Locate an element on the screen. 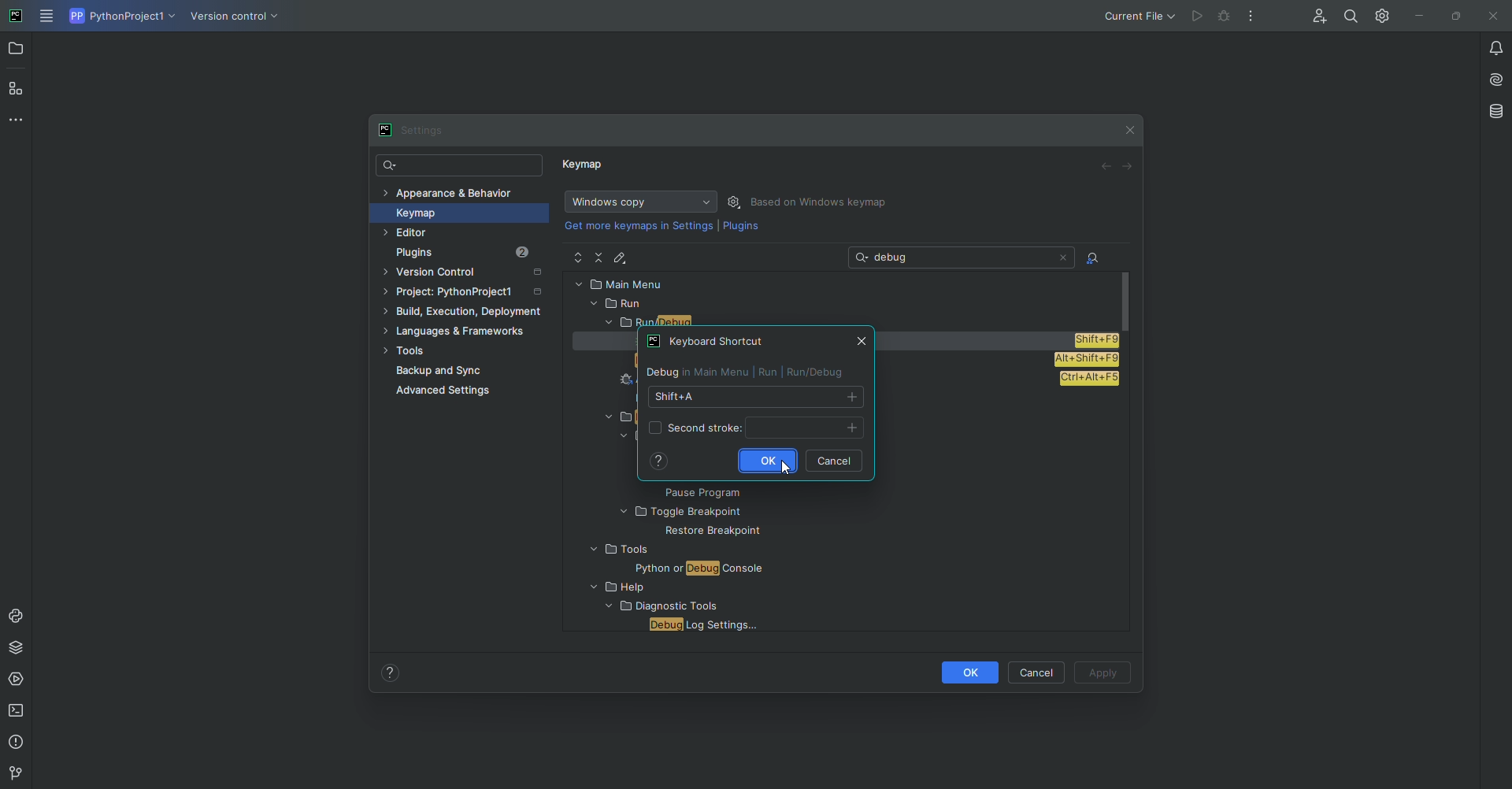  Plugins is located at coordinates (741, 229).